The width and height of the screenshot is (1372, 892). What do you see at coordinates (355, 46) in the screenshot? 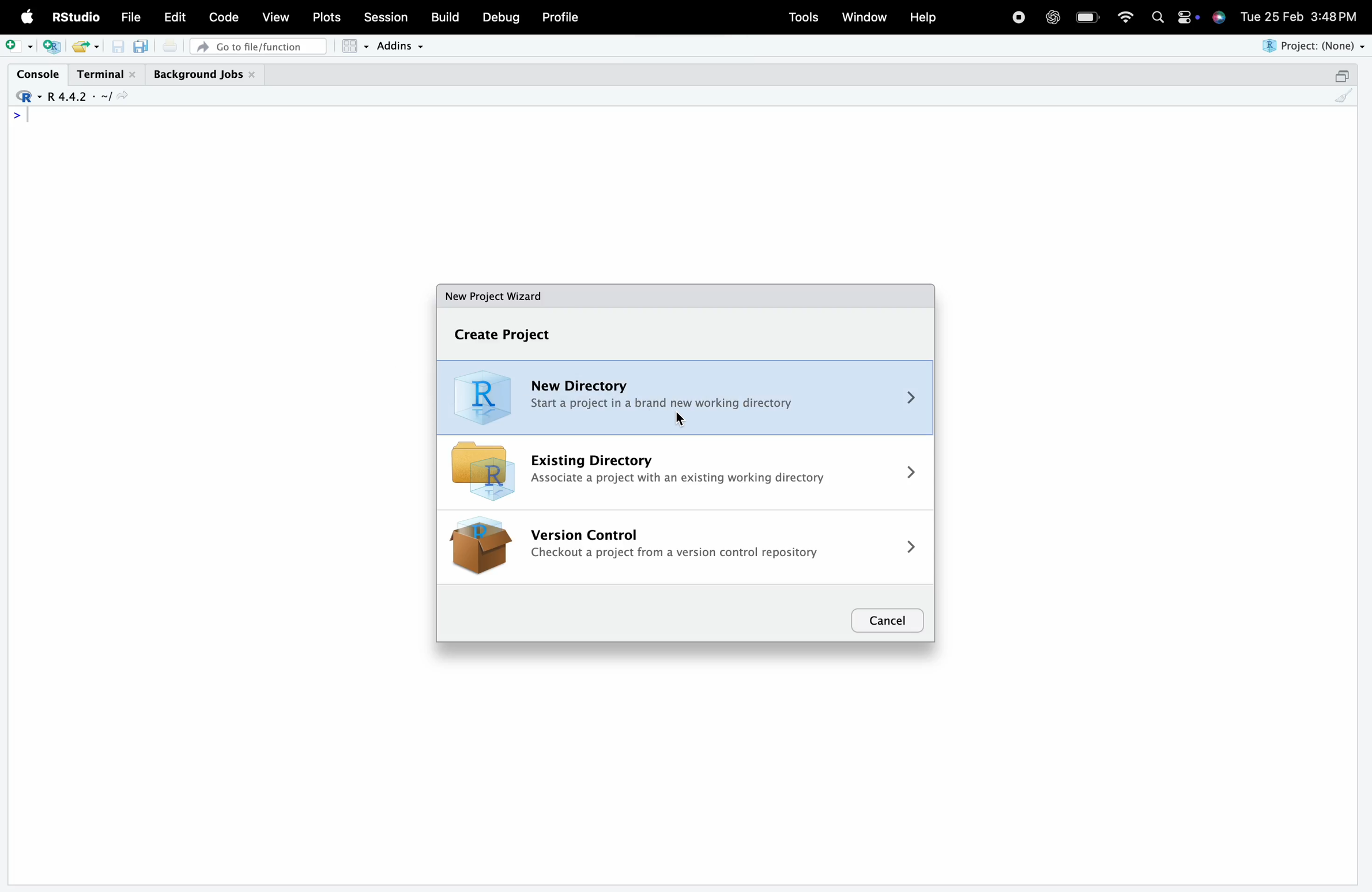
I see `Workspace panes` at bounding box center [355, 46].